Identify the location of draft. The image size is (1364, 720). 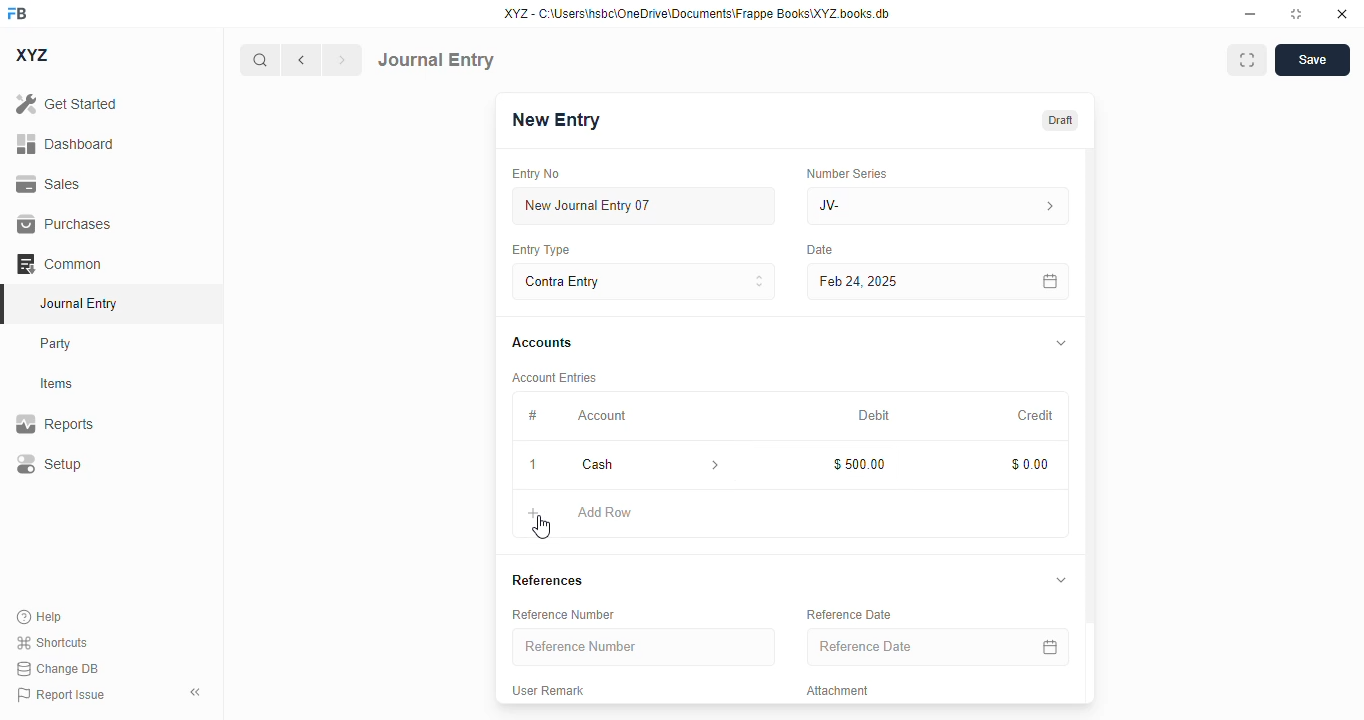
(1061, 119).